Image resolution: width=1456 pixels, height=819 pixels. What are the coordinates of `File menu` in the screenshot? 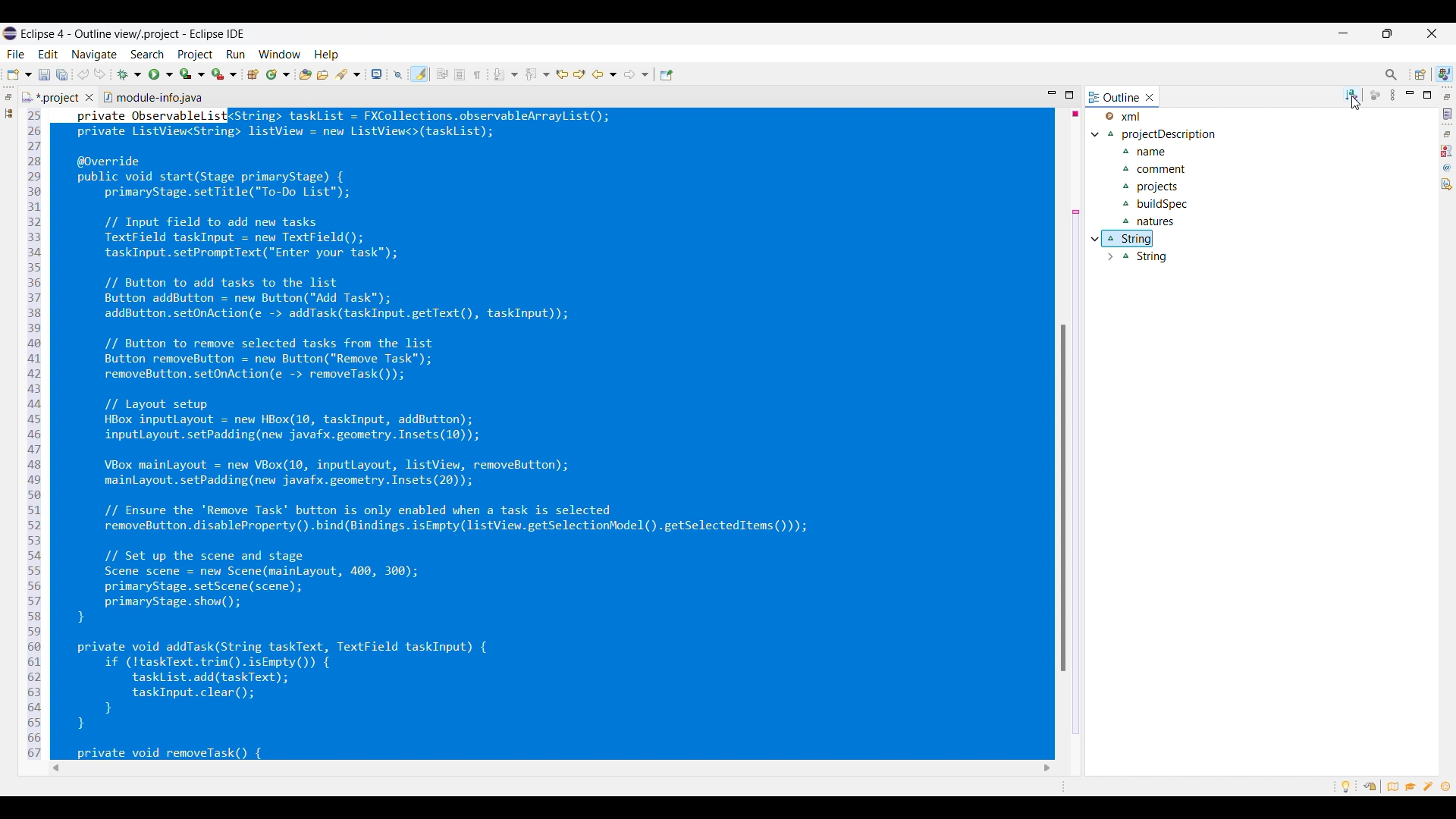 It's located at (15, 55).